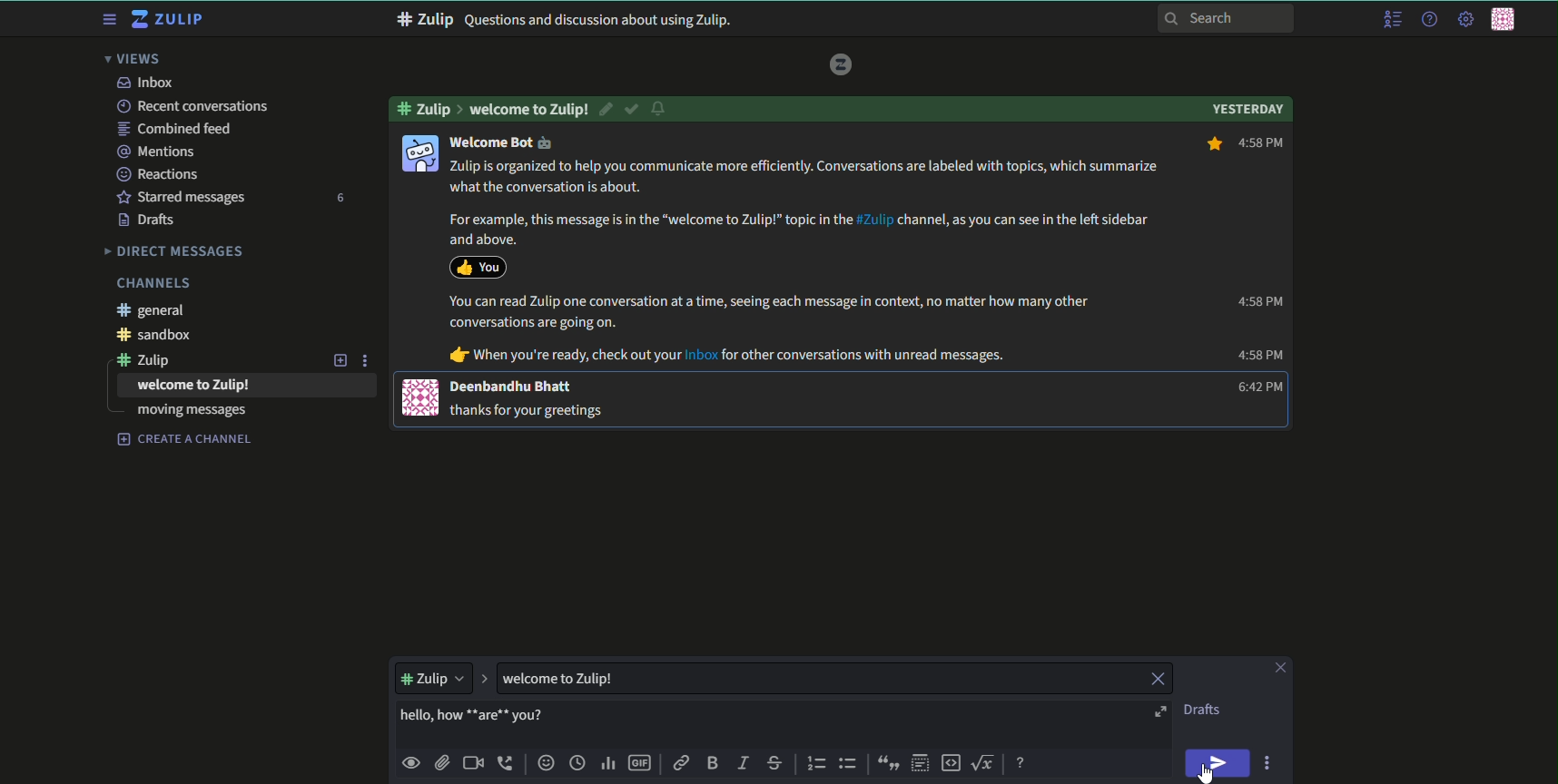 This screenshot has width=1558, height=784. I want to click on add, so click(338, 359).